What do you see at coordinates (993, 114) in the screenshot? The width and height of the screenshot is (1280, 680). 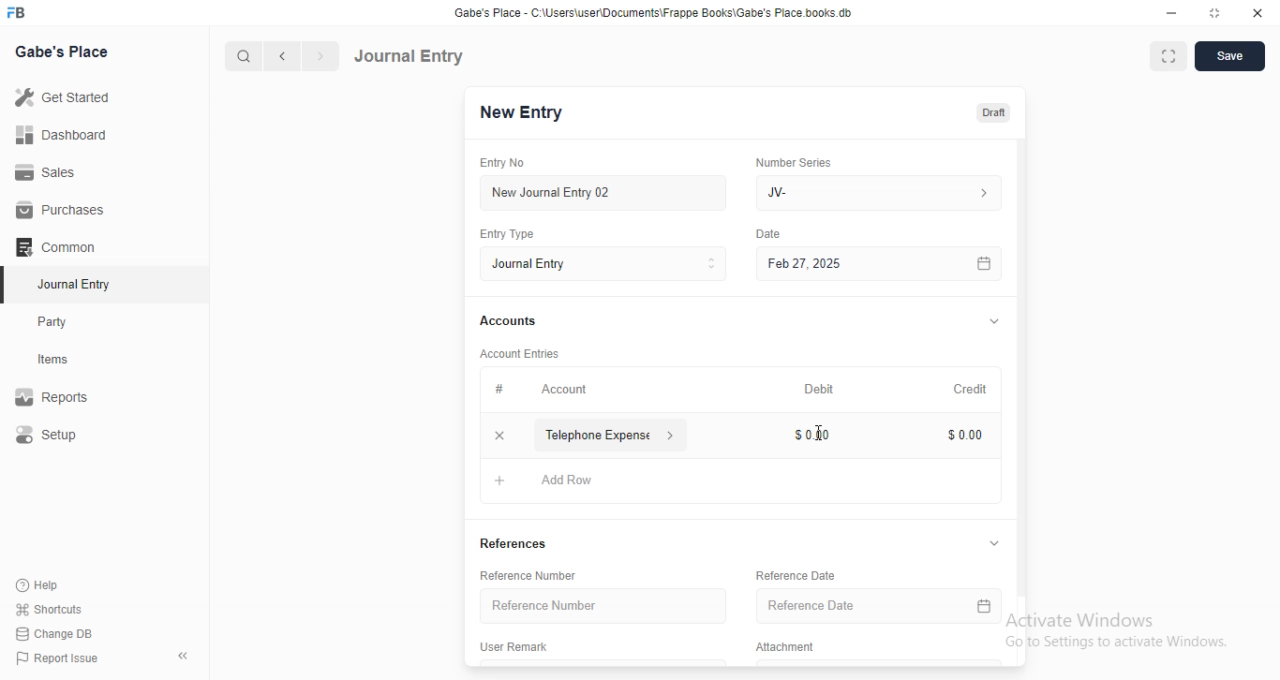 I see `Draft` at bounding box center [993, 114].